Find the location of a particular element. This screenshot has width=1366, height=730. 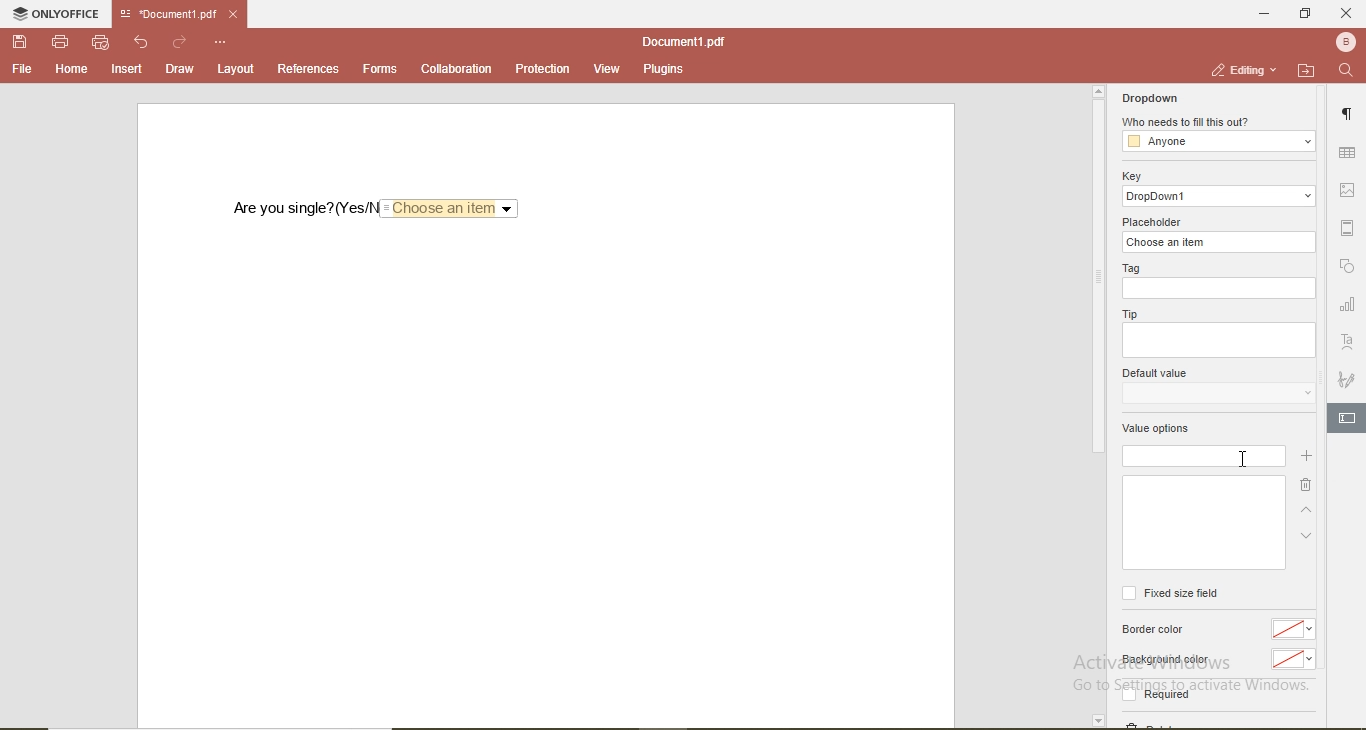

empty box is located at coordinates (1221, 340).